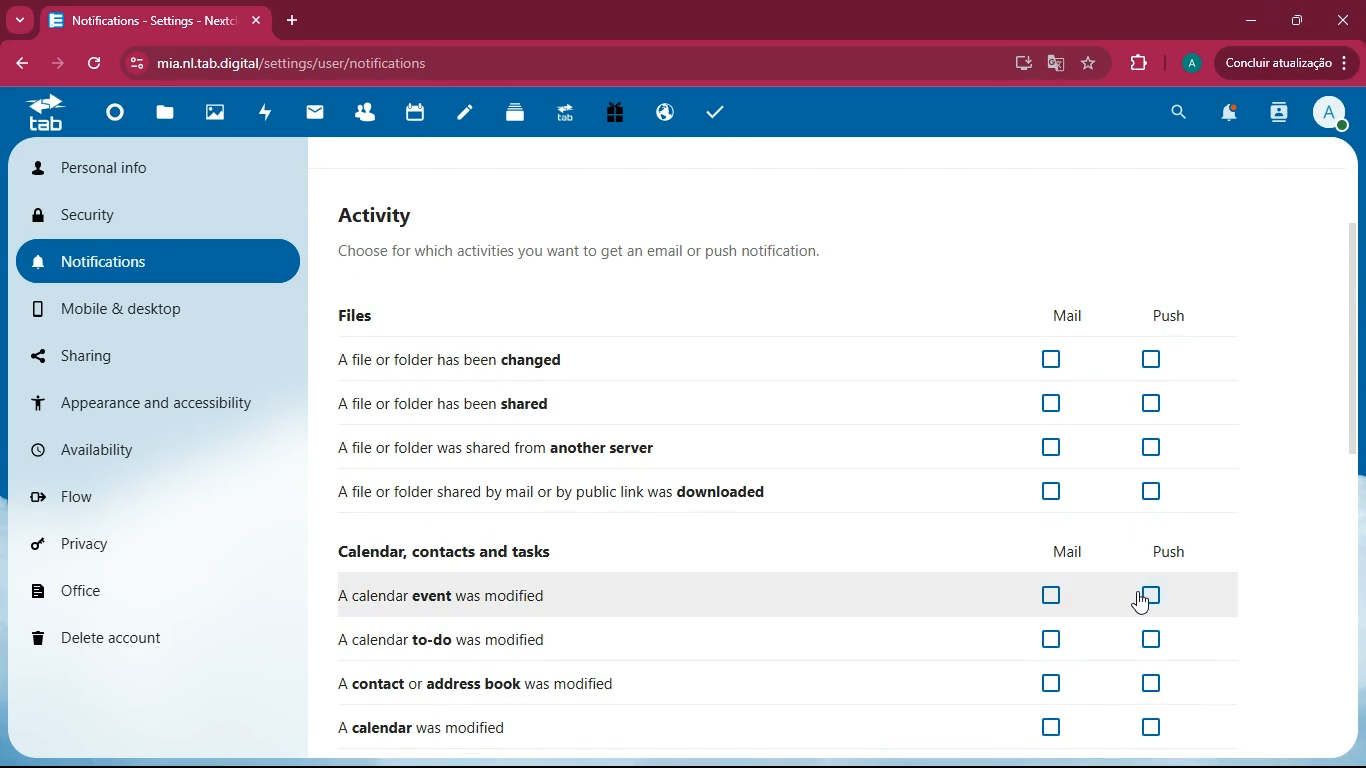 This screenshot has width=1366, height=768. I want to click on off, so click(1132, 684).